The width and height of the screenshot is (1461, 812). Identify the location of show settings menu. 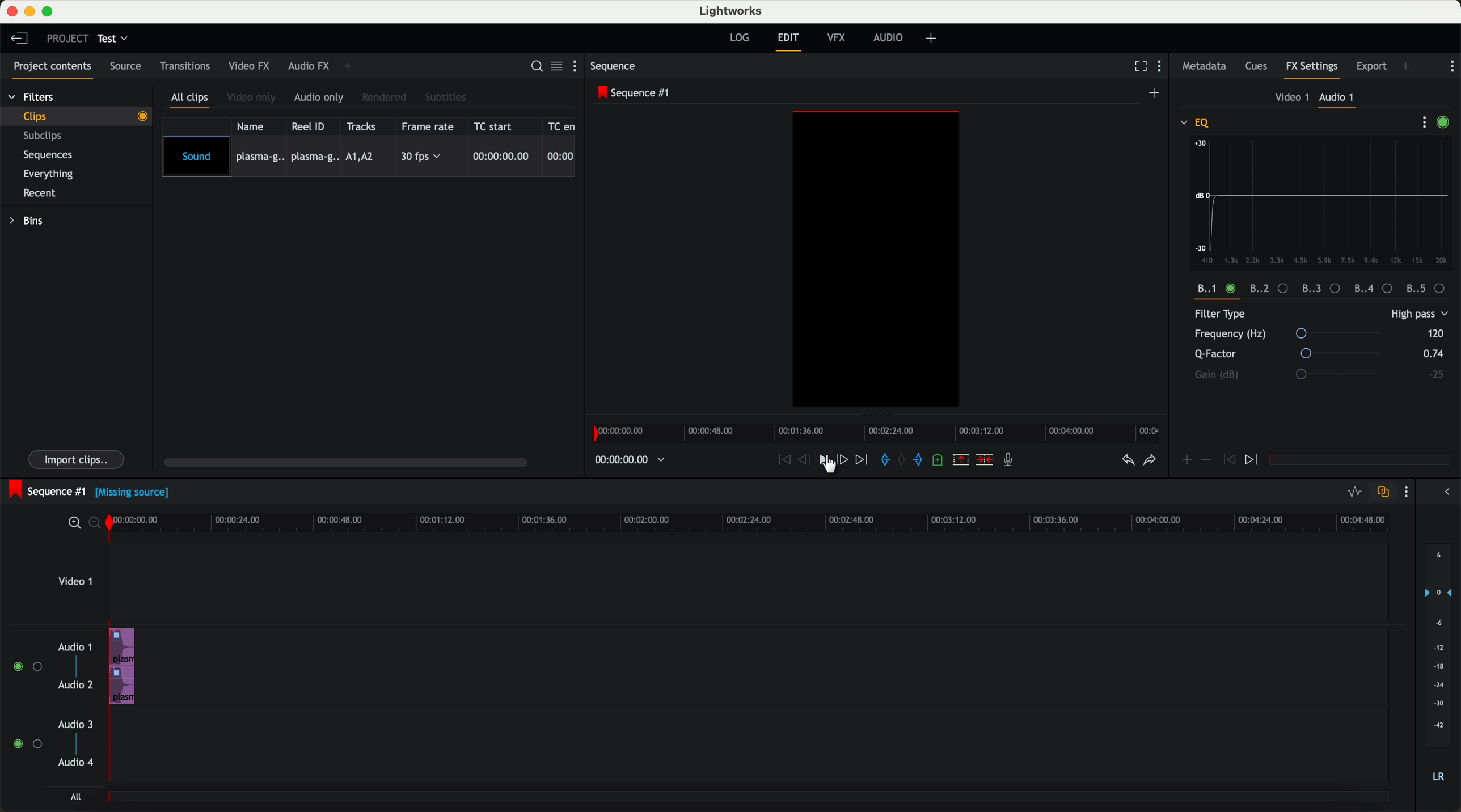
(1409, 493).